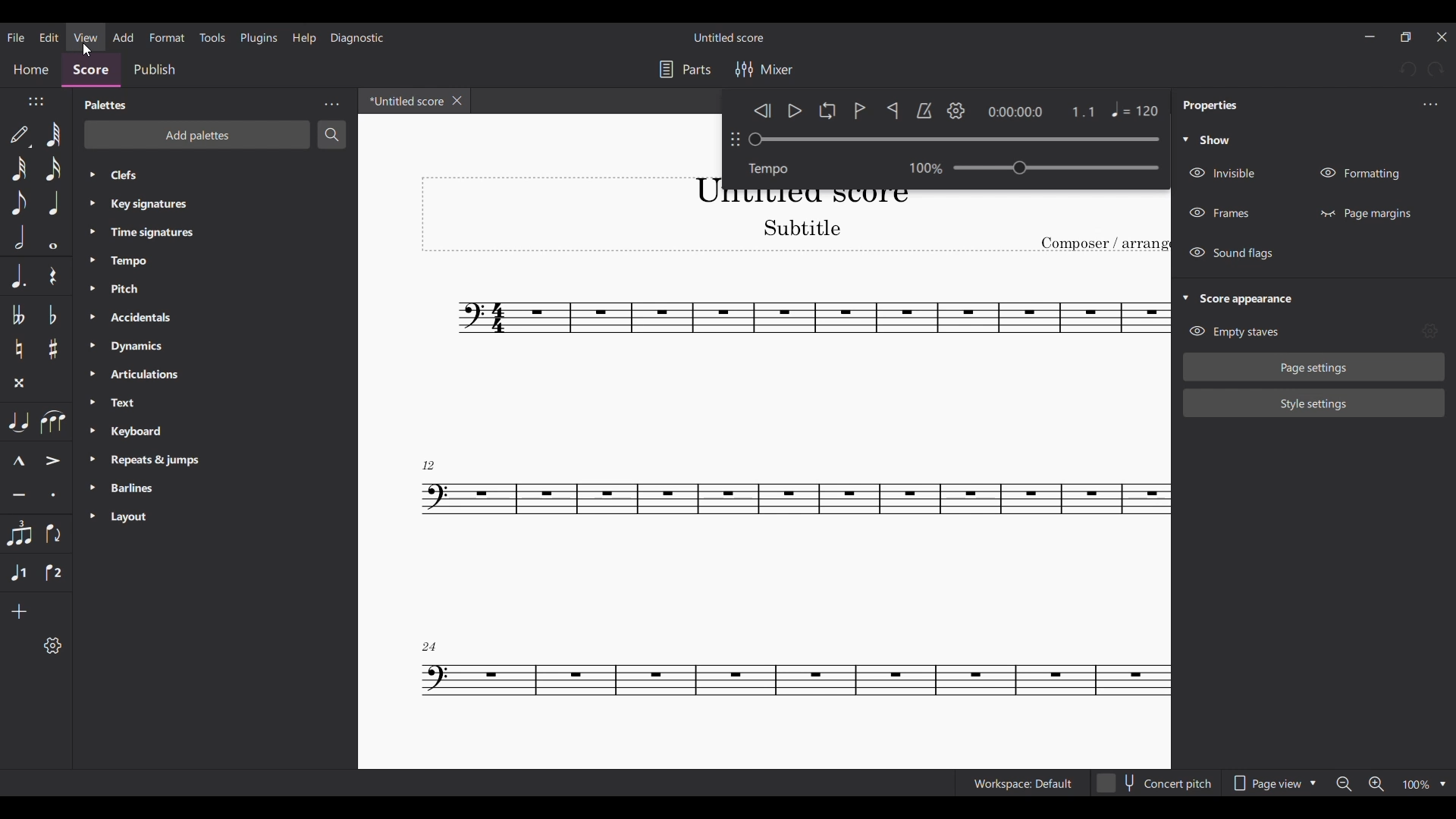  I want to click on Slider to change Duration, so click(953, 140).